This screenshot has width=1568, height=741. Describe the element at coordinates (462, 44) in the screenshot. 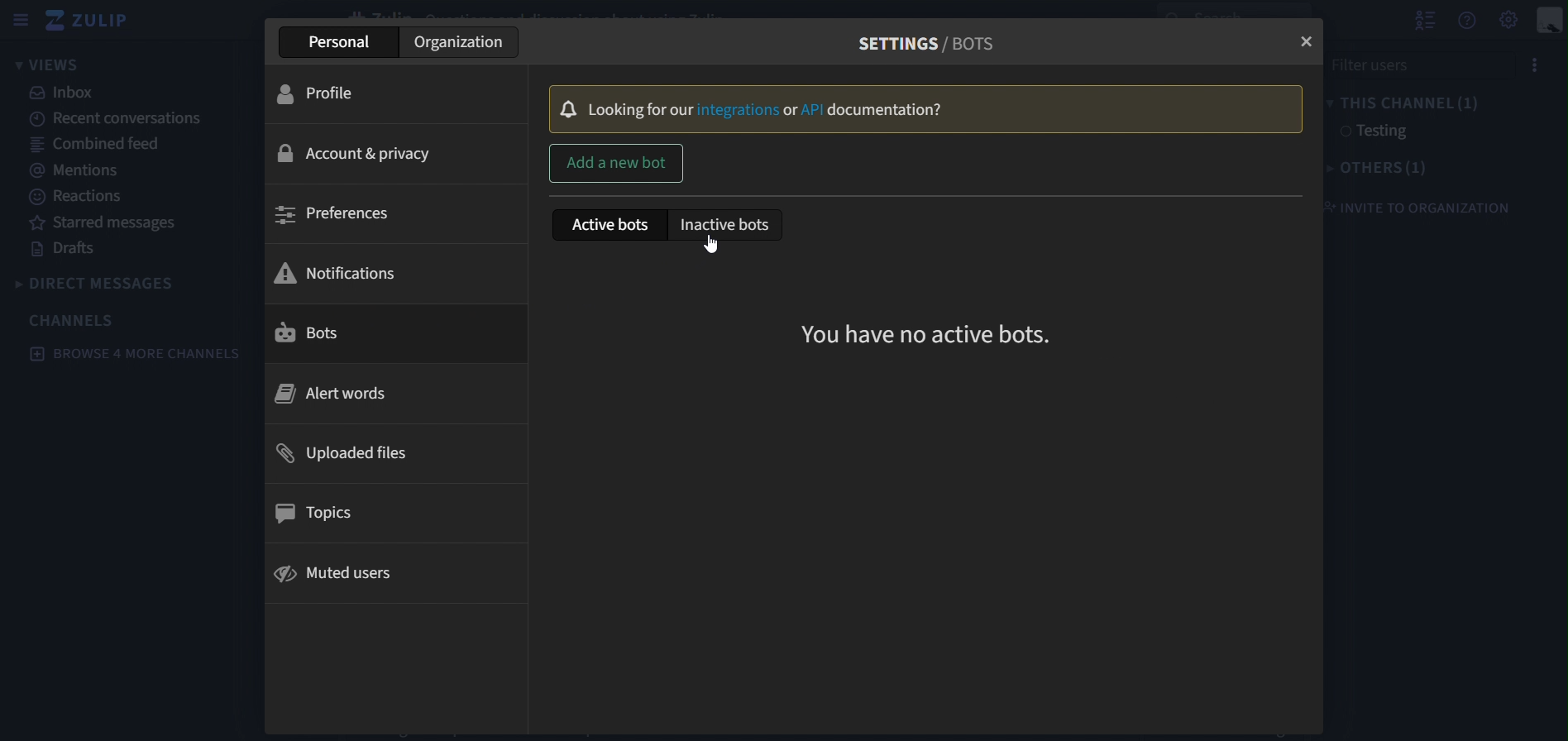

I see `organization` at that location.